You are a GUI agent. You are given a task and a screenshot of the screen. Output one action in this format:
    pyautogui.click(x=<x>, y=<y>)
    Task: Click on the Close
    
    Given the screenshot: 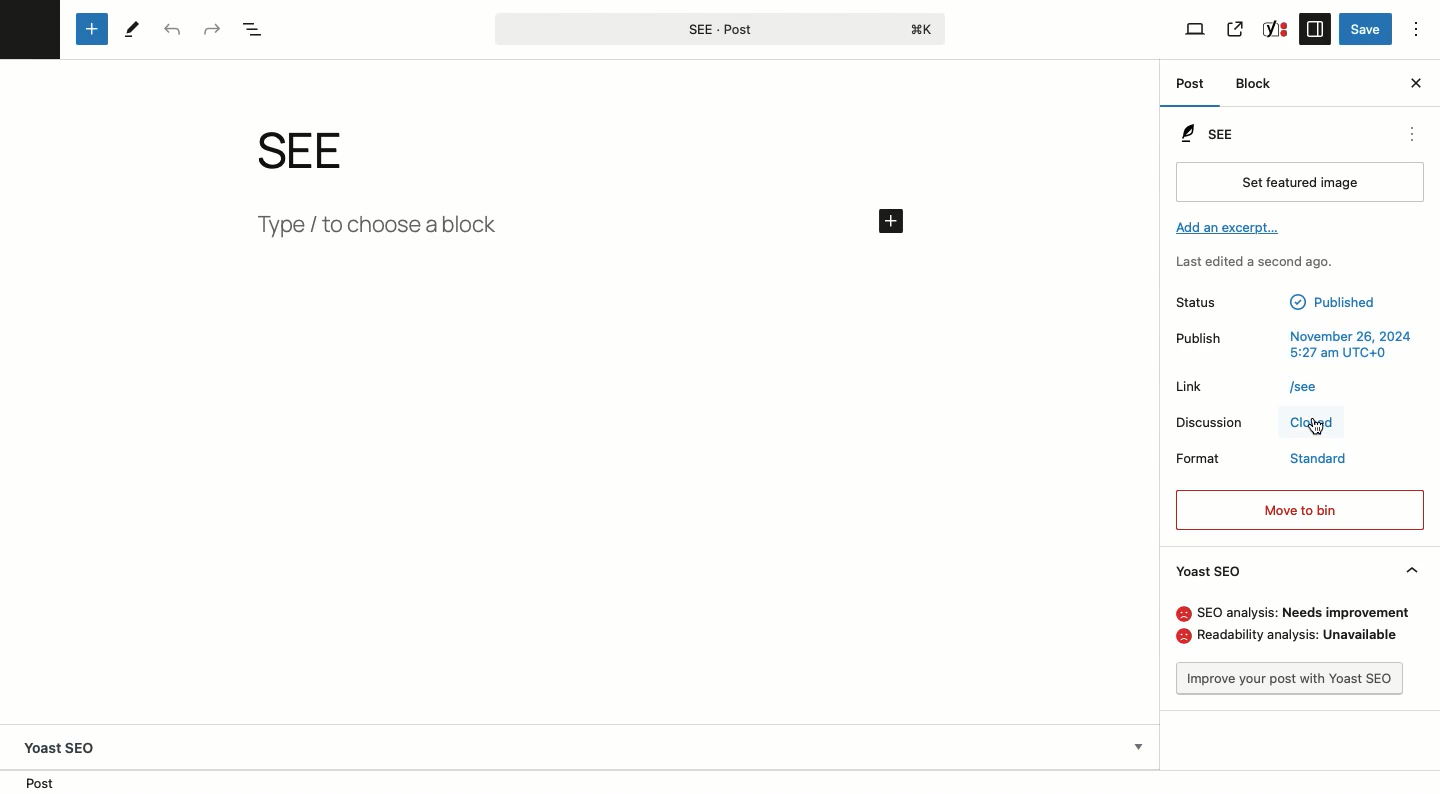 What is the action you would take?
    pyautogui.click(x=1310, y=425)
    